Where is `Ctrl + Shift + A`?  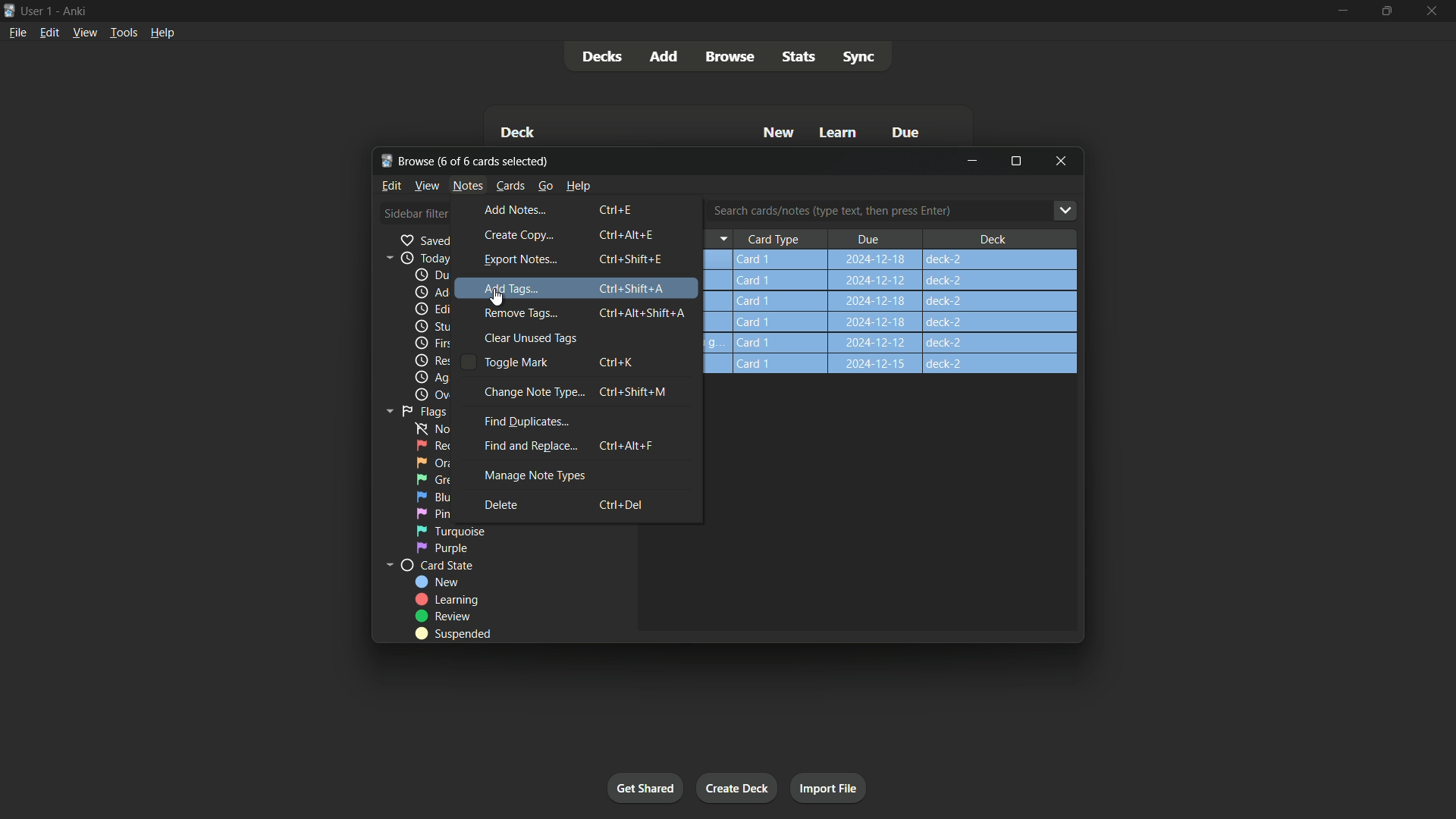 Ctrl + Shift + A is located at coordinates (629, 288).